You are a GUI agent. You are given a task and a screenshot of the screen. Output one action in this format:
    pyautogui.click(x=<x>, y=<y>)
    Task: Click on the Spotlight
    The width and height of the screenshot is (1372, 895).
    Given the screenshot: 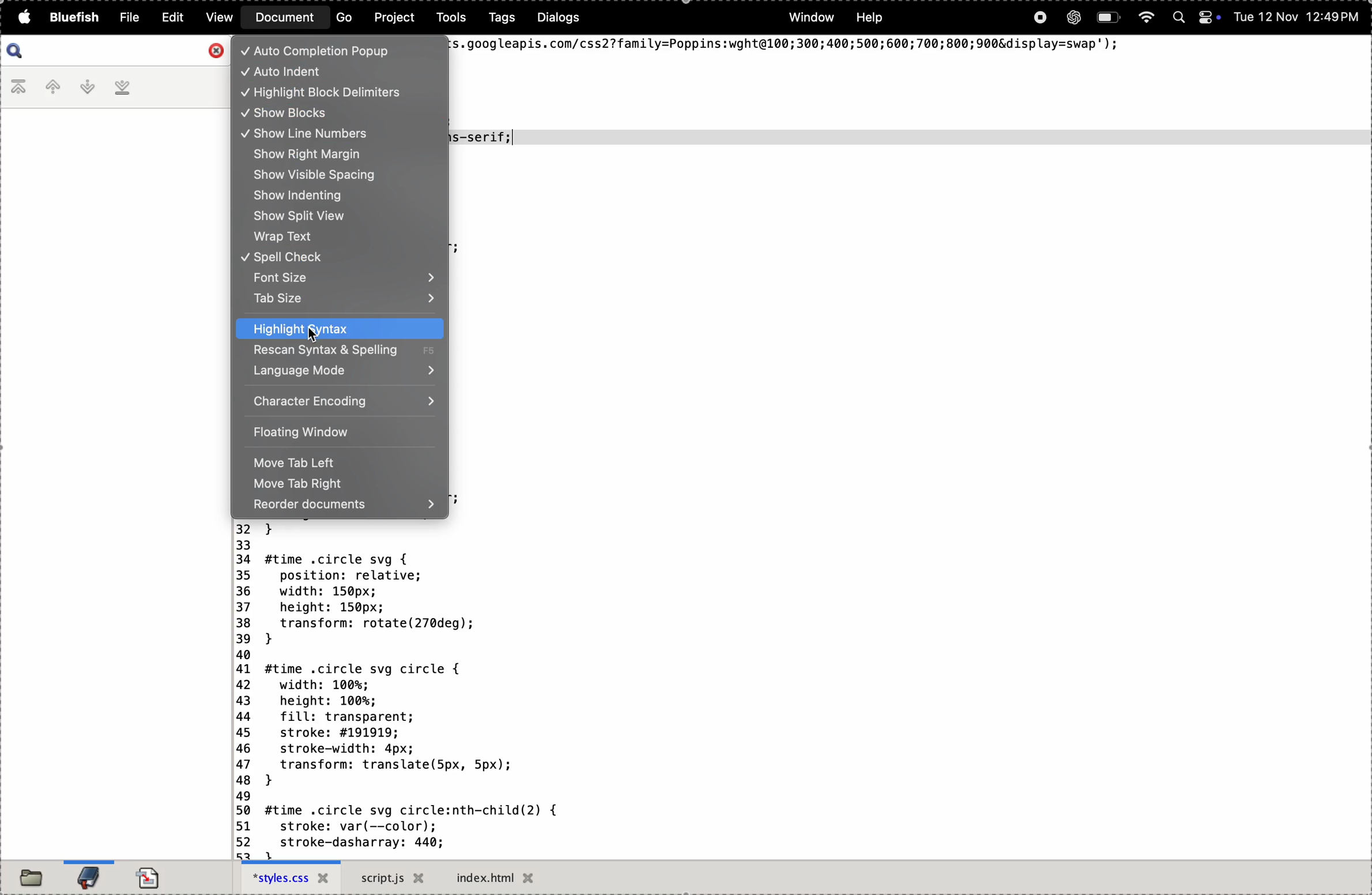 What is the action you would take?
    pyautogui.click(x=1177, y=18)
    